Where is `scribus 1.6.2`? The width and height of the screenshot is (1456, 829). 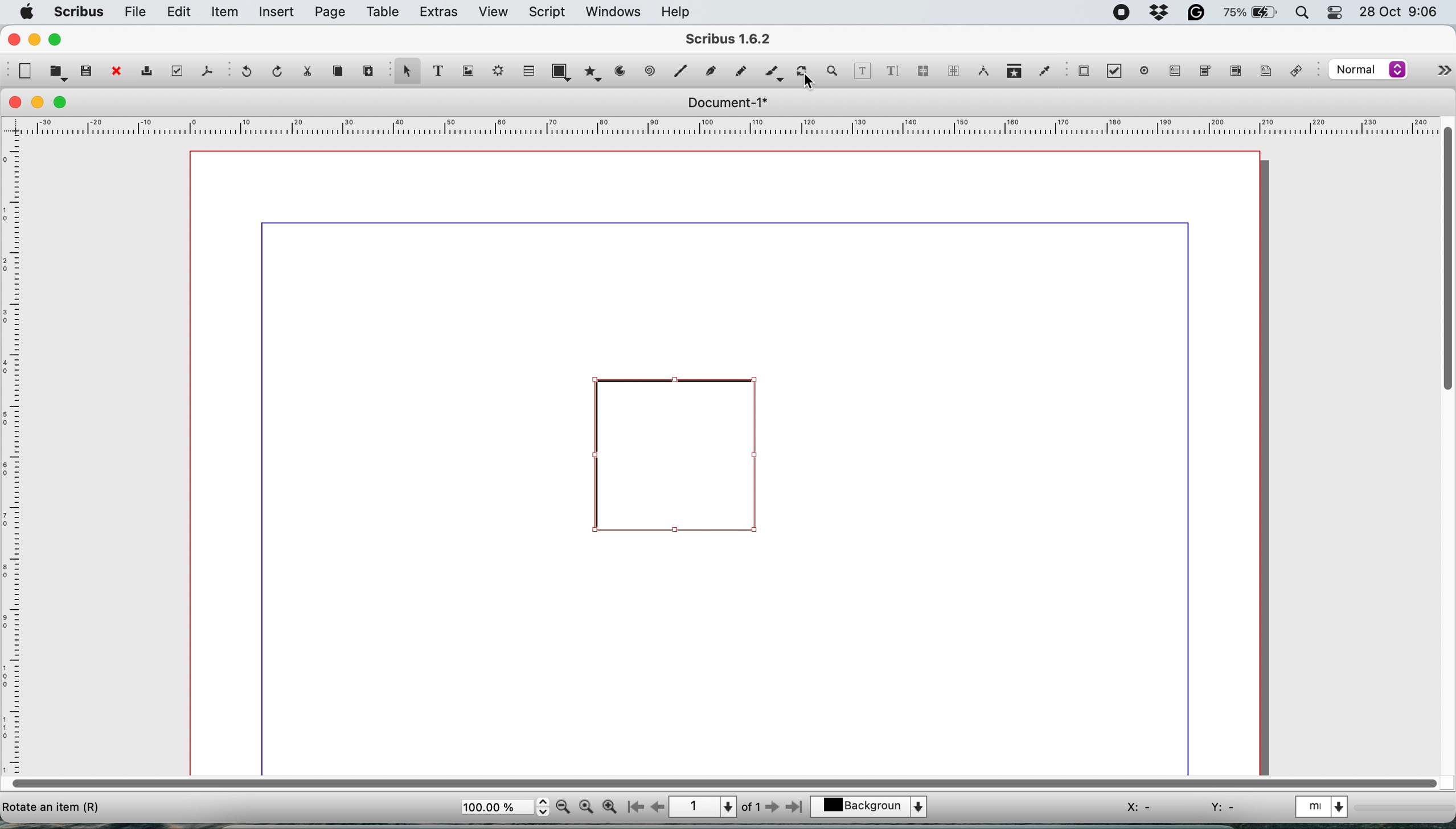
scribus 1.6.2 is located at coordinates (740, 38).